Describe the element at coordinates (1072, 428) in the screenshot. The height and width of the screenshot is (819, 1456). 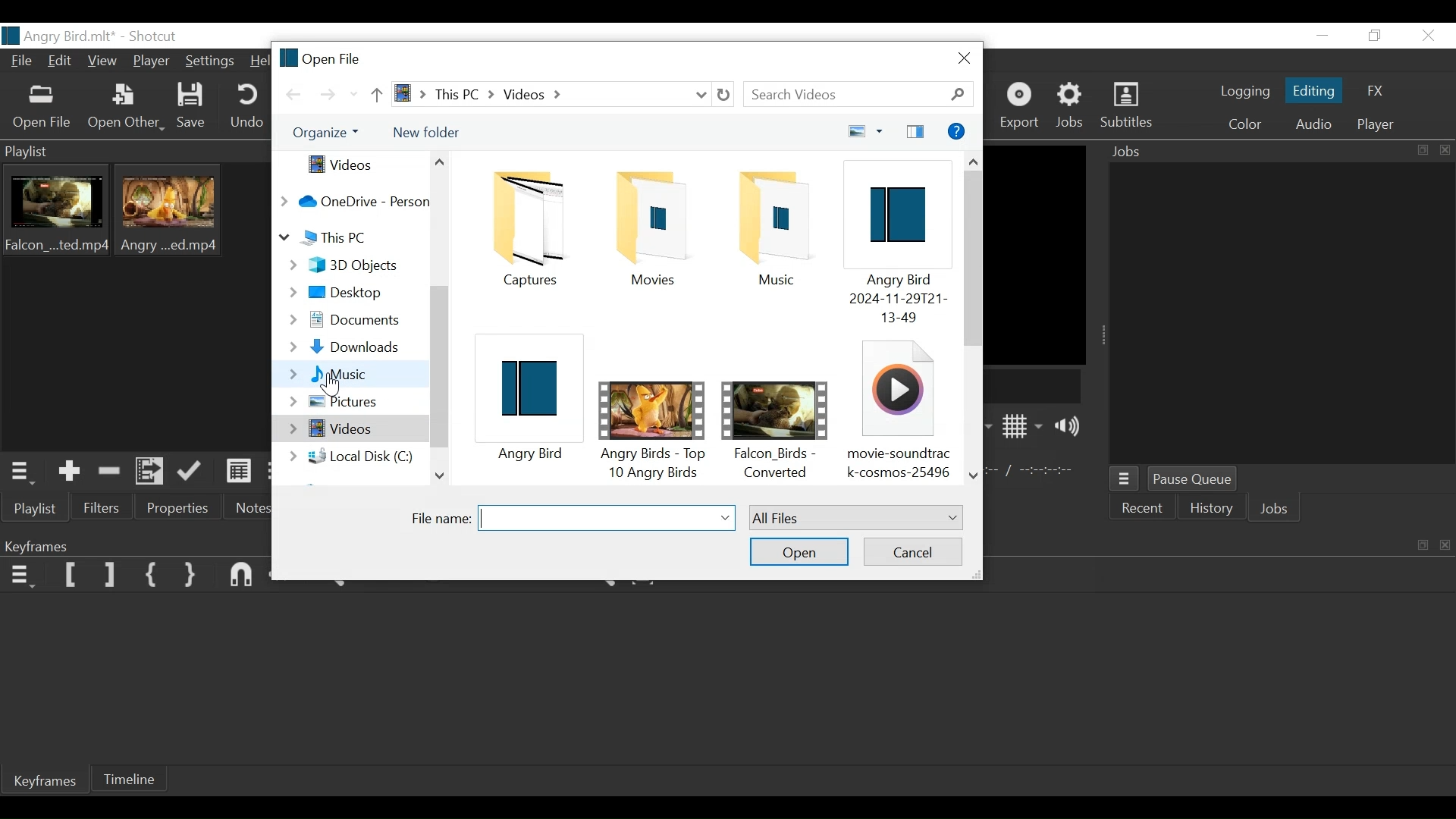
I see `Show Volume control` at that location.